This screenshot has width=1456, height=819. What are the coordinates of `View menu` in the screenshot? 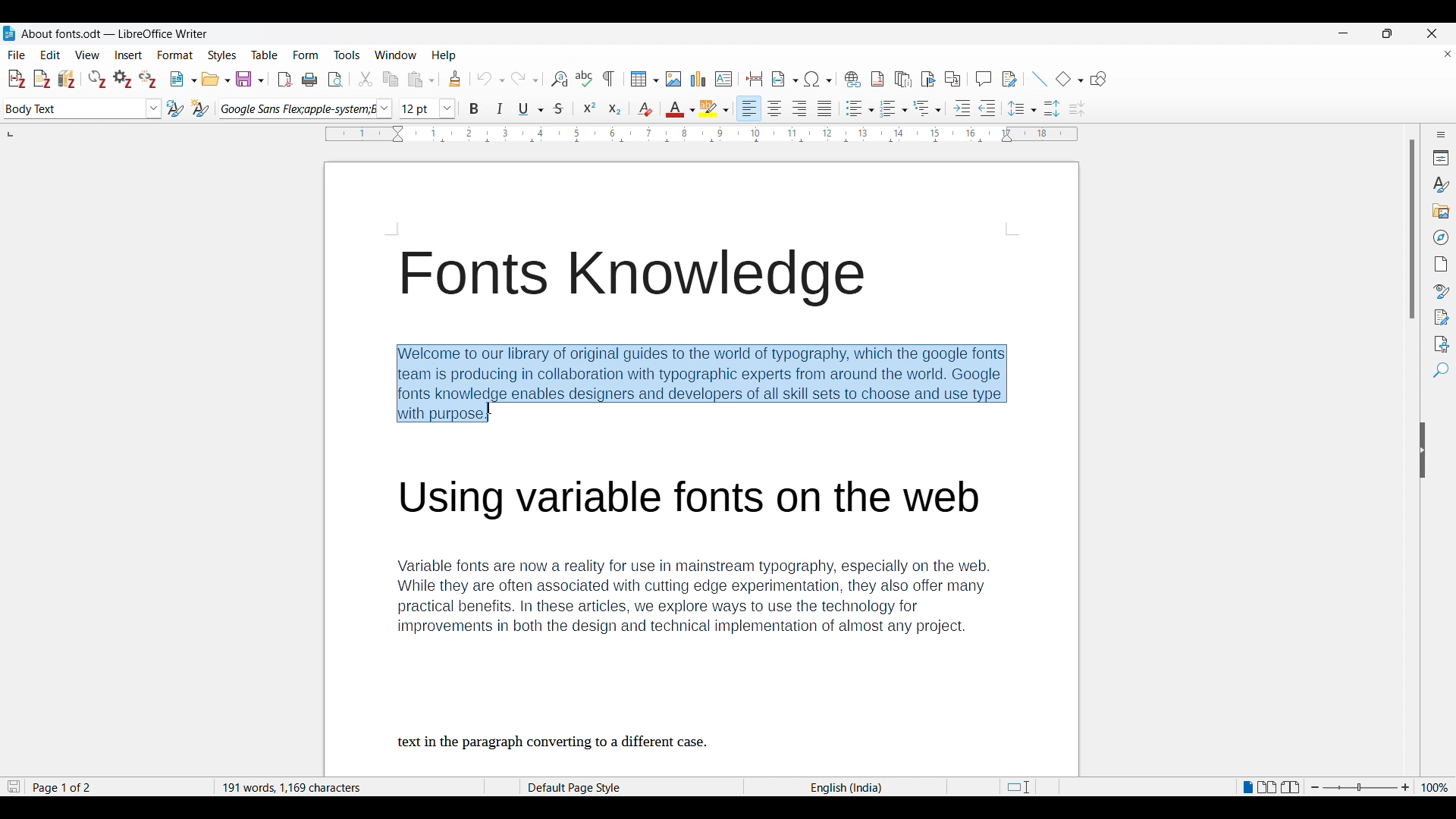 It's located at (88, 55).